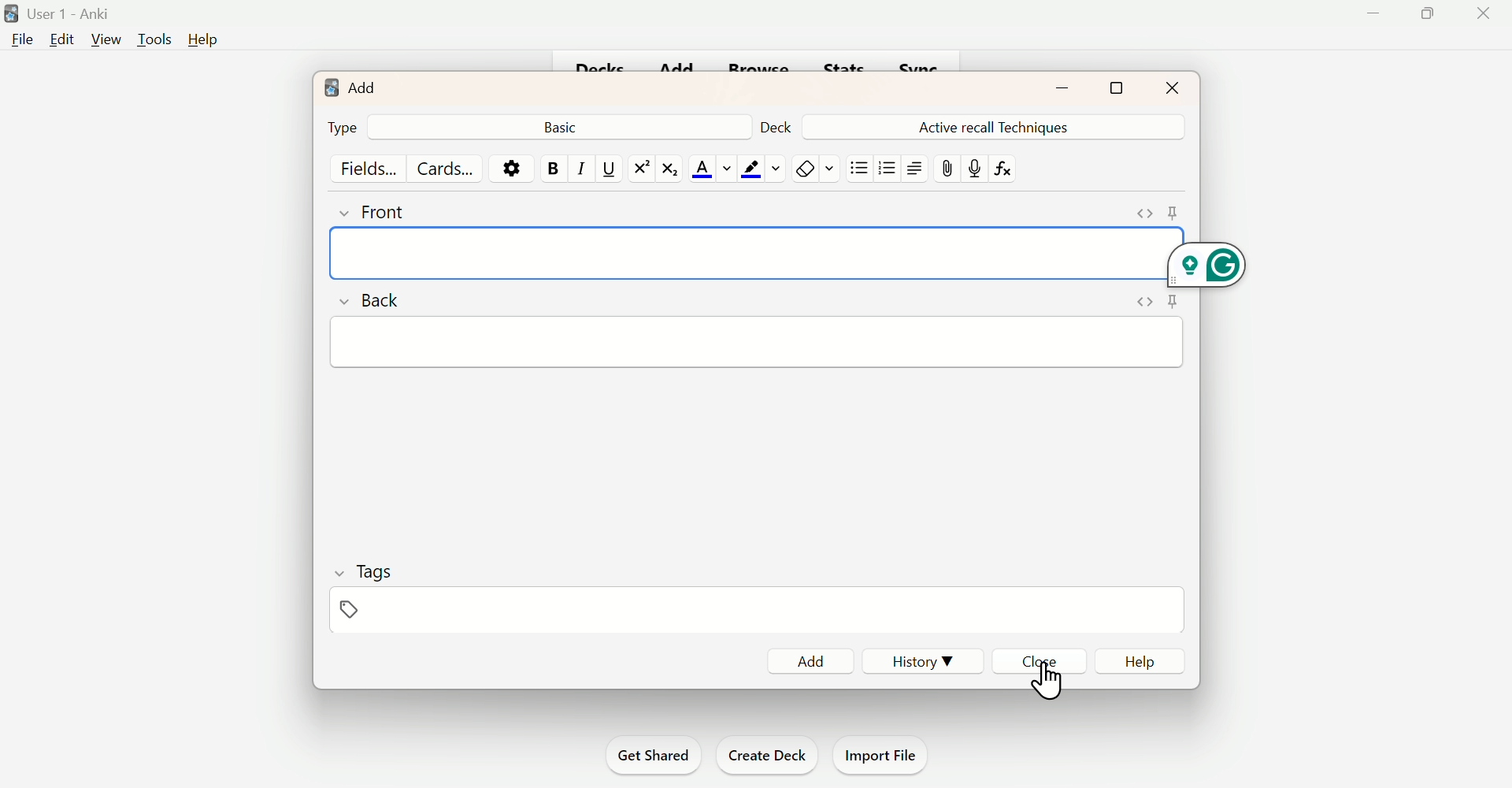 Image resolution: width=1512 pixels, height=788 pixels. I want to click on Unorganised List, so click(860, 167).